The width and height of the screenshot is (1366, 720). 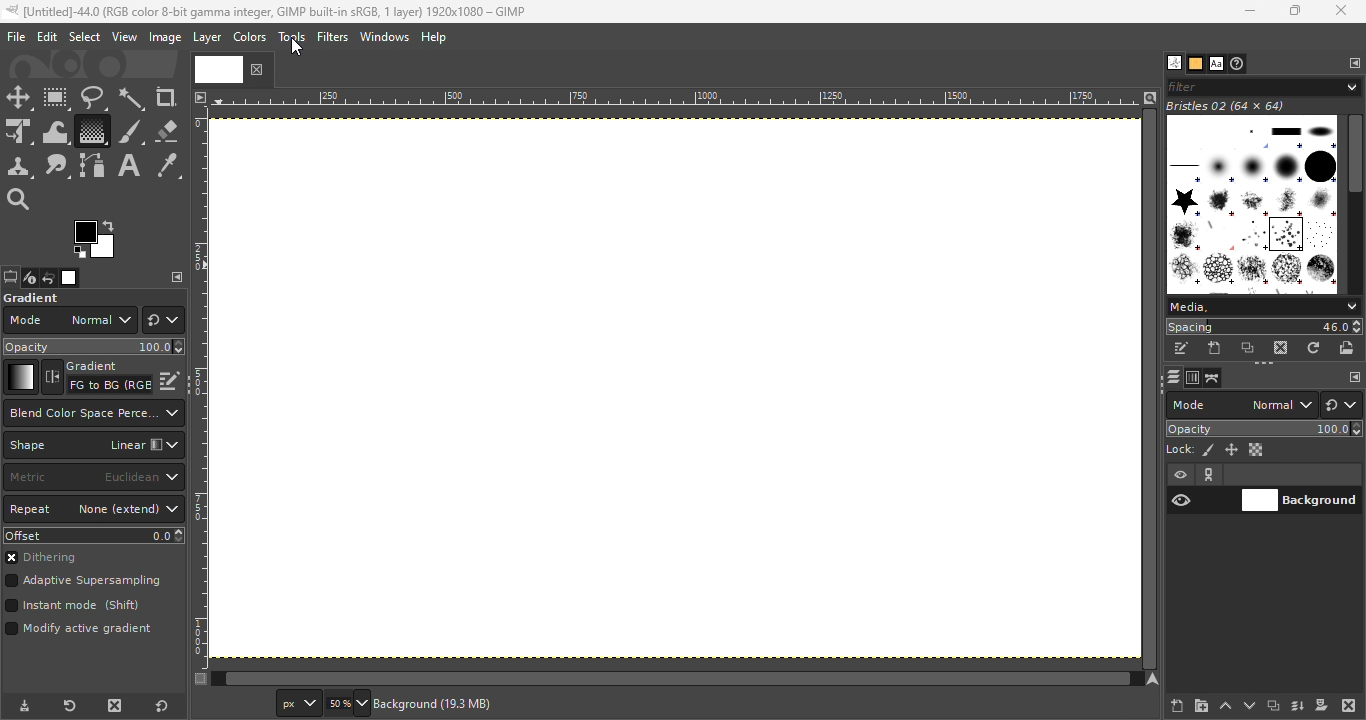 What do you see at coordinates (166, 127) in the screenshot?
I see `Eraser tool` at bounding box center [166, 127].